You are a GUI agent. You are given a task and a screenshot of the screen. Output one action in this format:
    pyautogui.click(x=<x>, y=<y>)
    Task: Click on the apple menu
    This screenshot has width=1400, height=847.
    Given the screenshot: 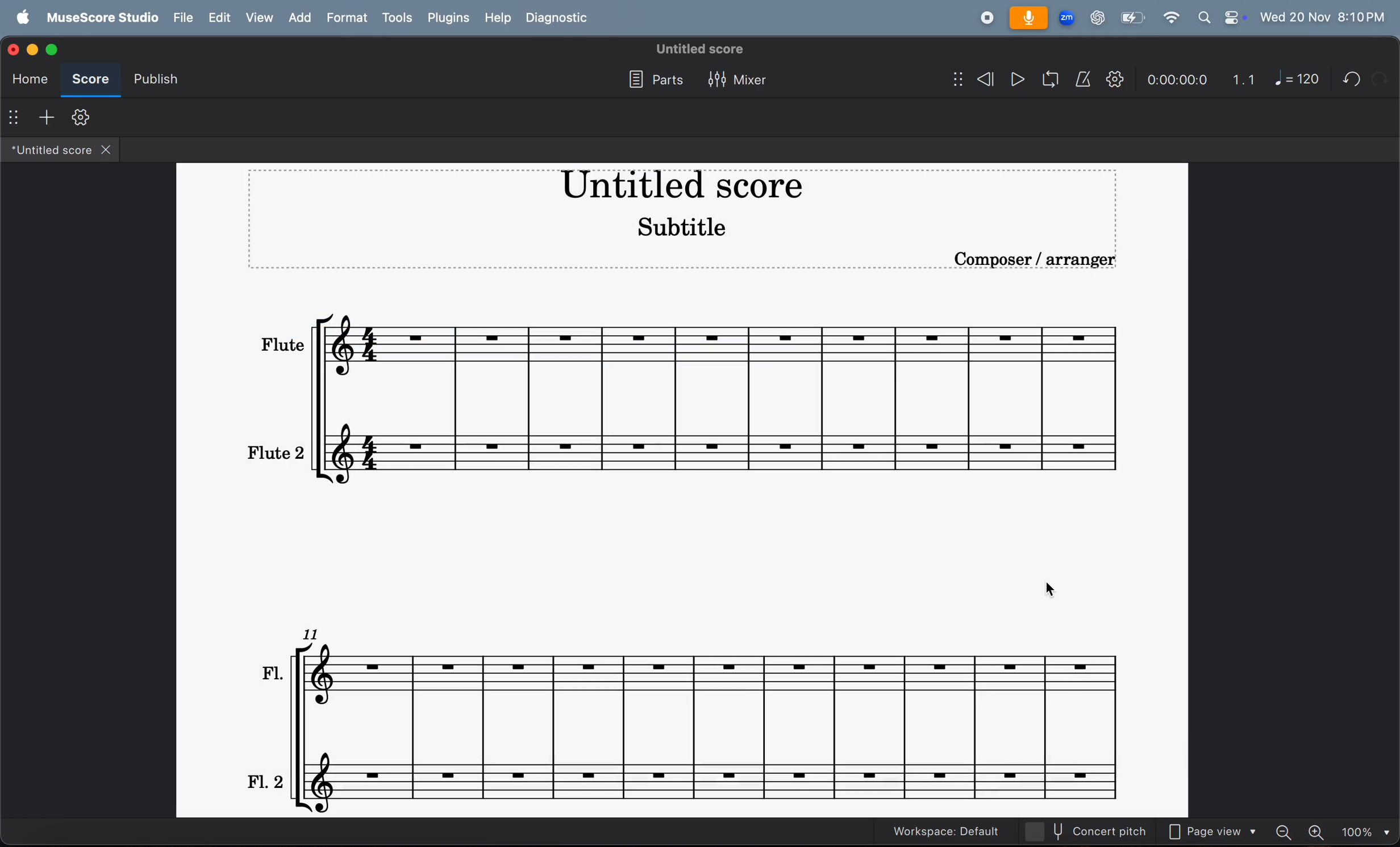 What is the action you would take?
    pyautogui.click(x=23, y=17)
    